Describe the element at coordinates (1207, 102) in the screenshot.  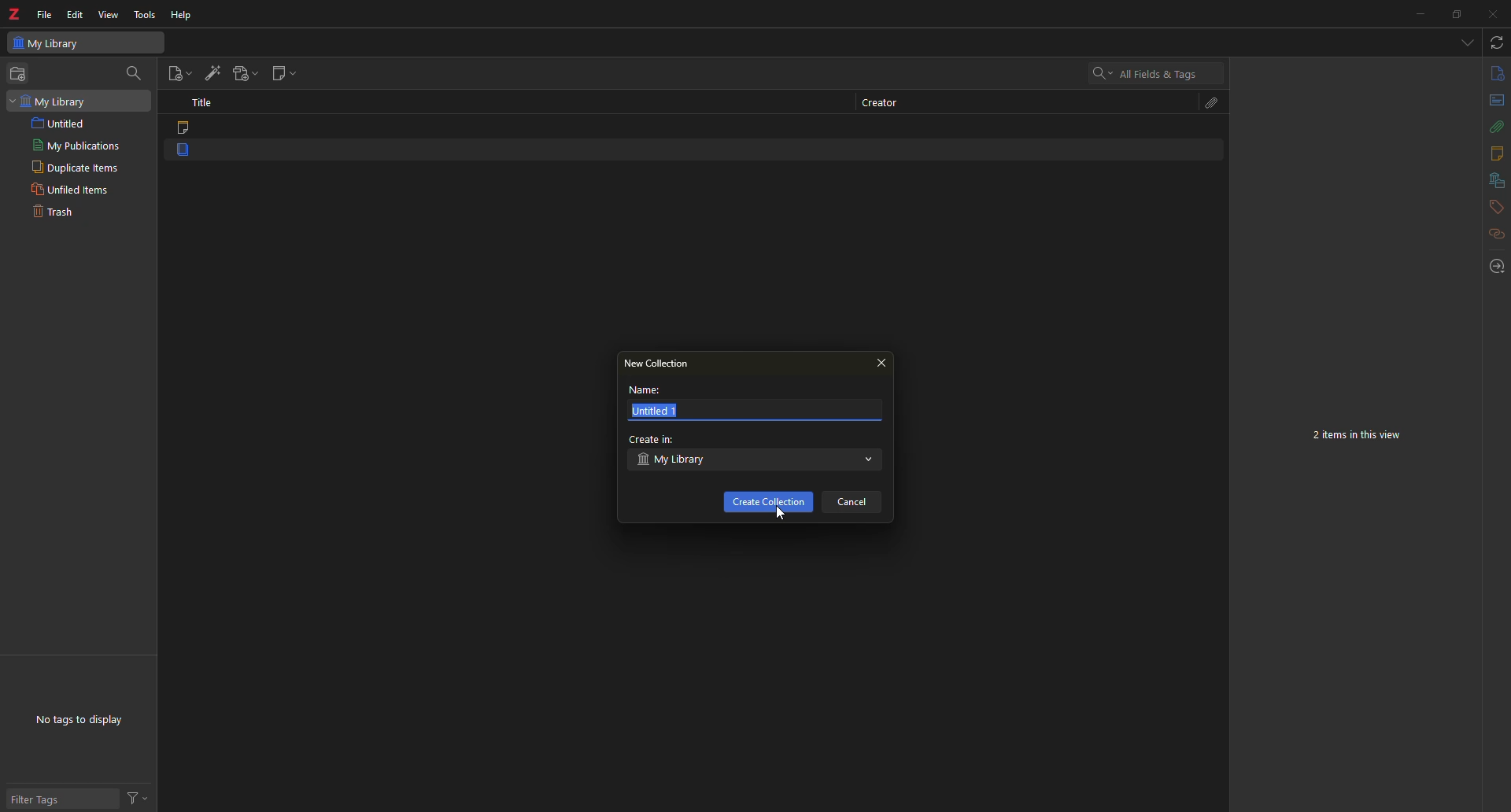
I see `attach` at that location.